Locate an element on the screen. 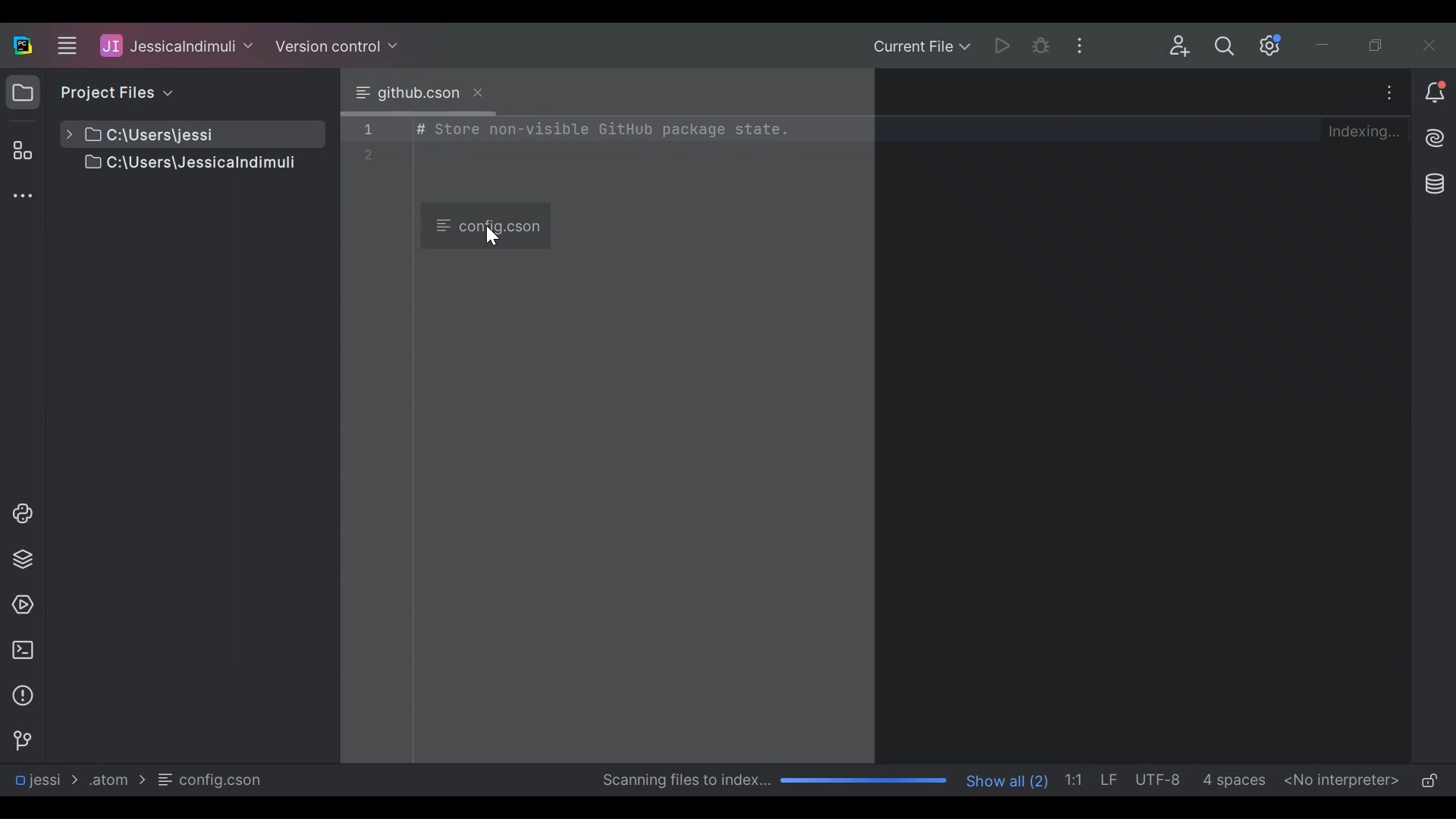 This screenshot has height=819, width=1456. Project File User is located at coordinates (177, 46).